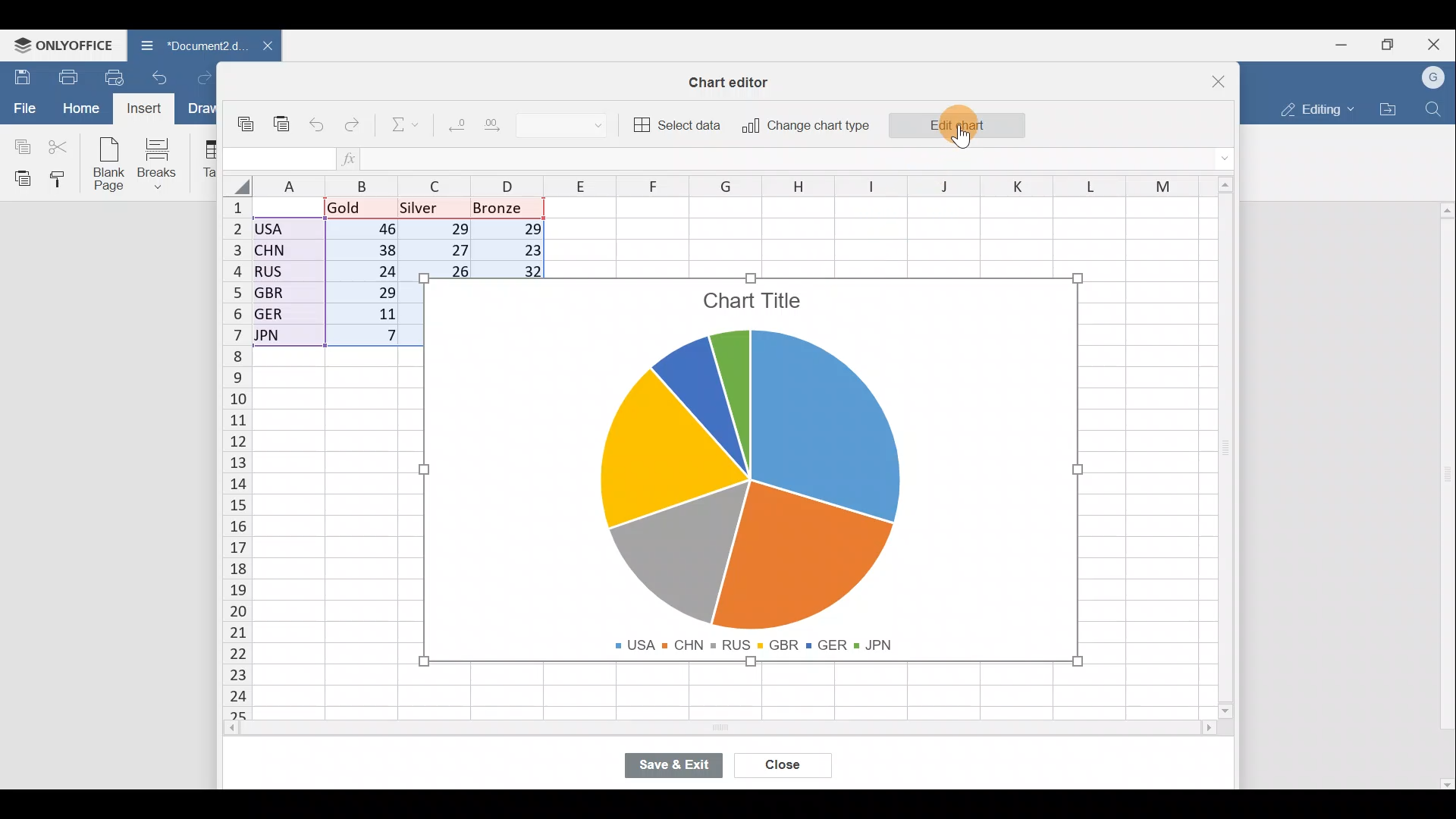 This screenshot has width=1456, height=819. Describe the element at coordinates (59, 146) in the screenshot. I see `Cut` at that location.